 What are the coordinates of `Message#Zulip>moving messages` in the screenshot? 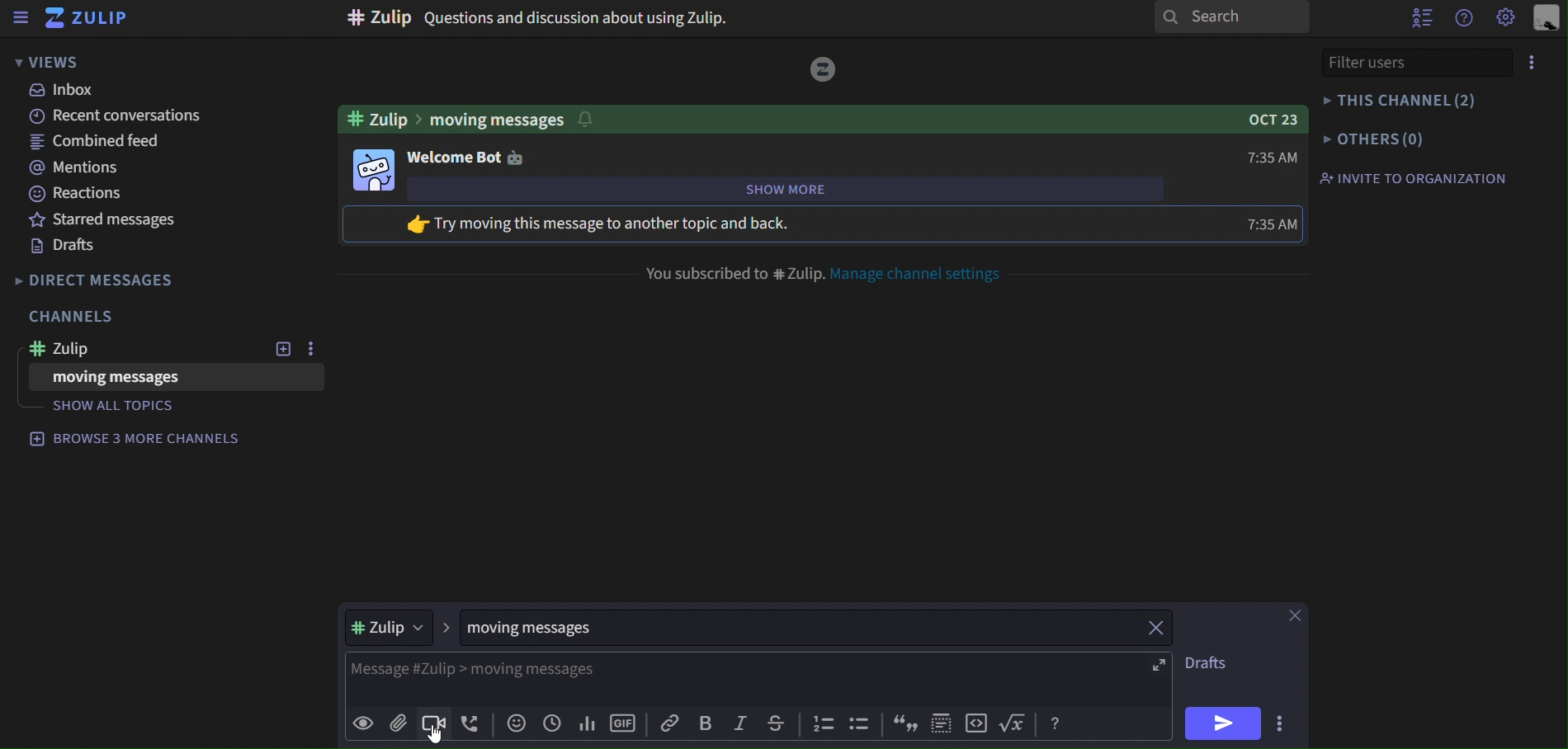 It's located at (470, 671).